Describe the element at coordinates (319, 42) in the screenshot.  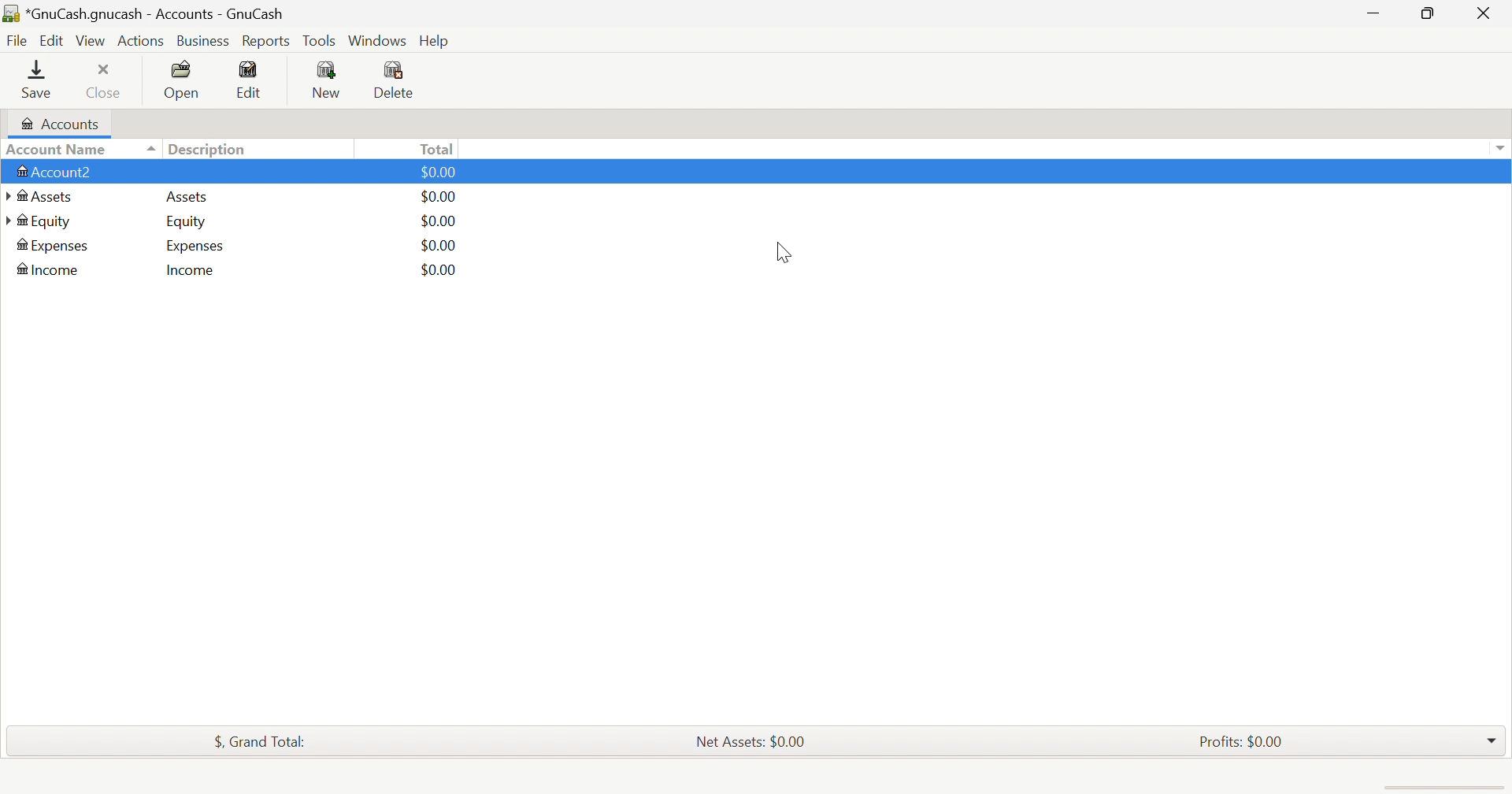
I see `Tools` at that location.